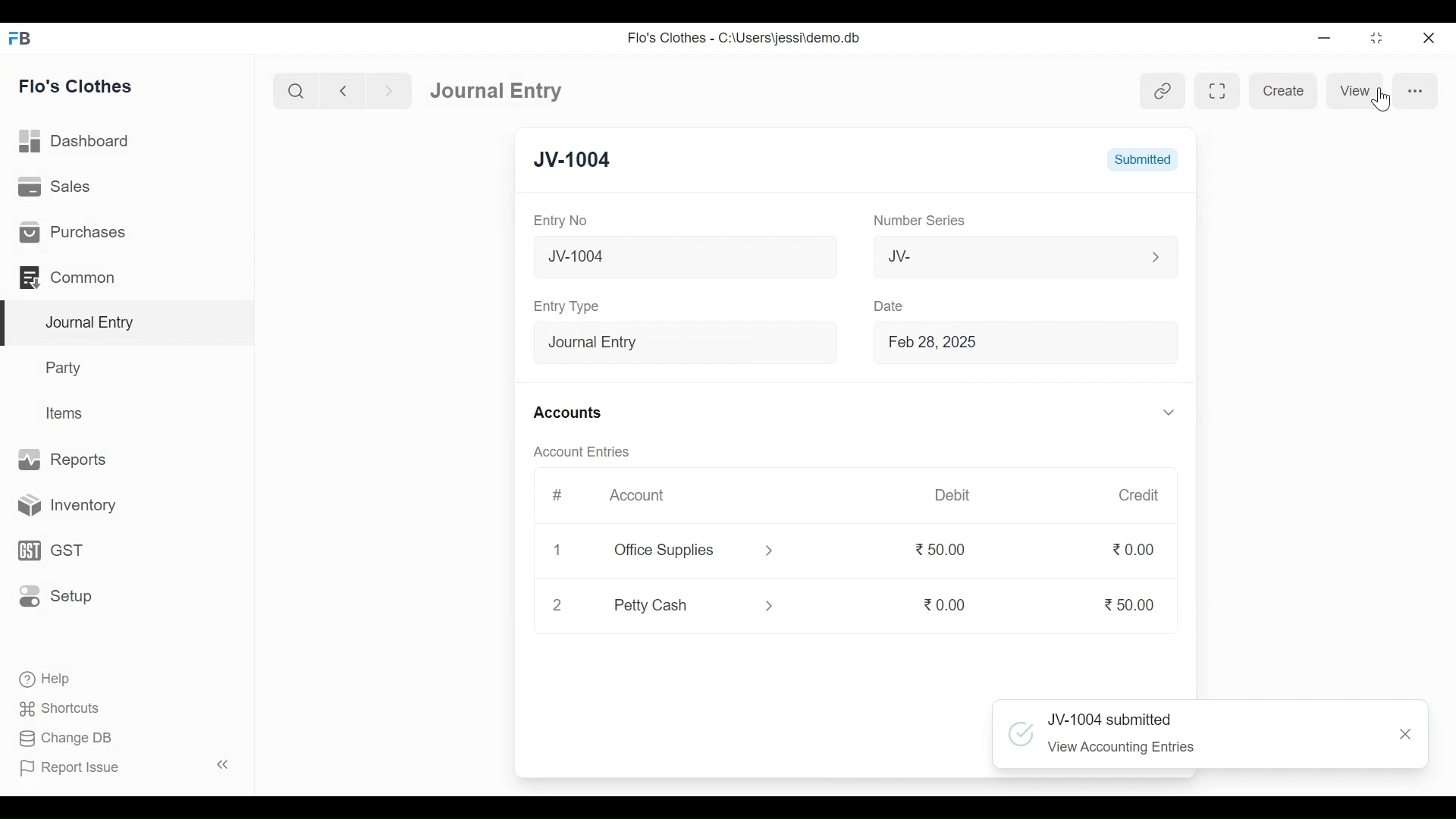 Image resolution: width=1456 pixels, height=819 pixels. What do you see at coordinates (296, 92) in the screenshot?
I see `Search` at bounding box center [296, 92].